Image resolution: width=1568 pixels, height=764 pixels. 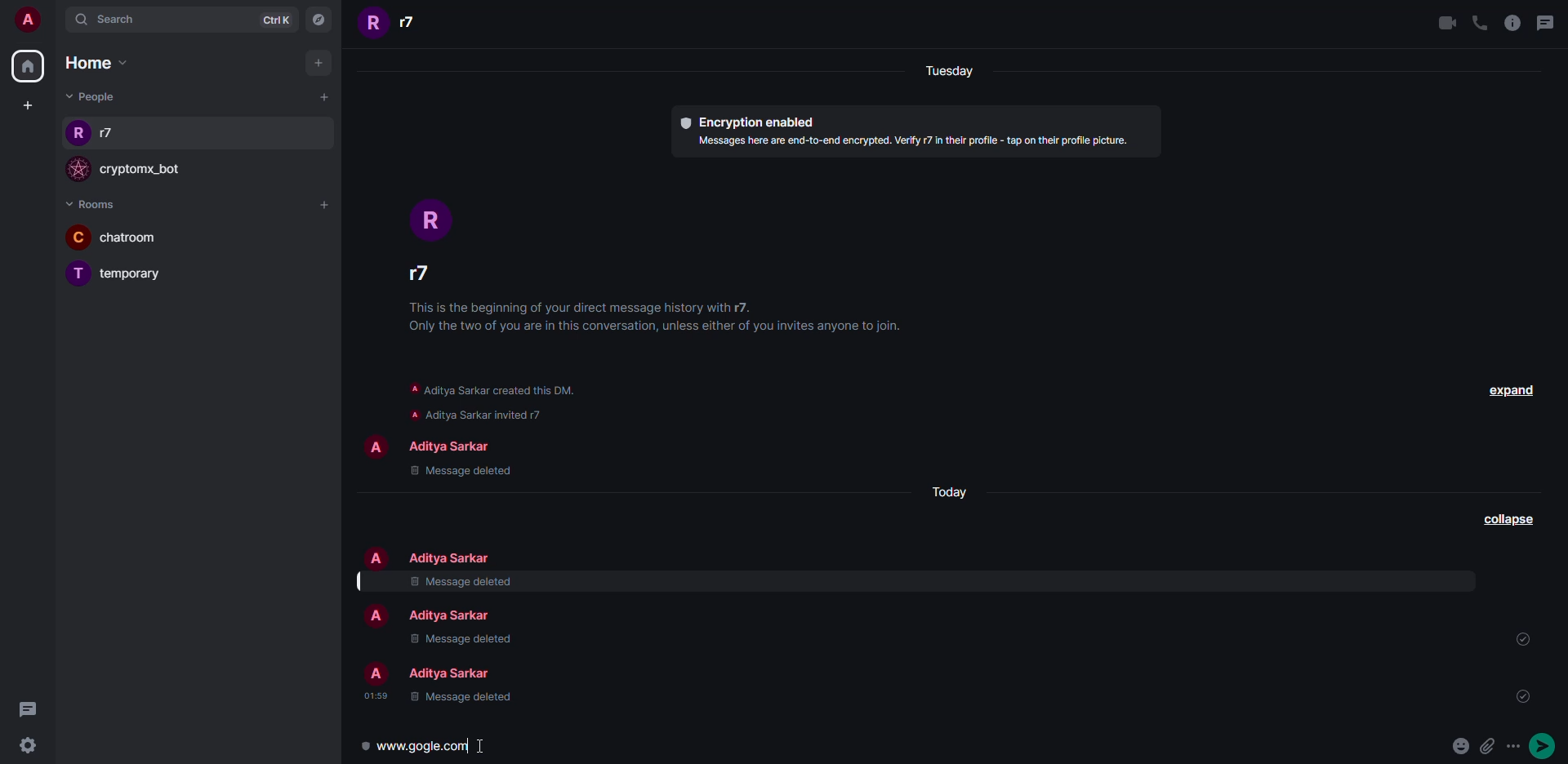 What do you see at coordinates (27, 69) in the screenshot?
I see `home` at bounding box center [27, 69].